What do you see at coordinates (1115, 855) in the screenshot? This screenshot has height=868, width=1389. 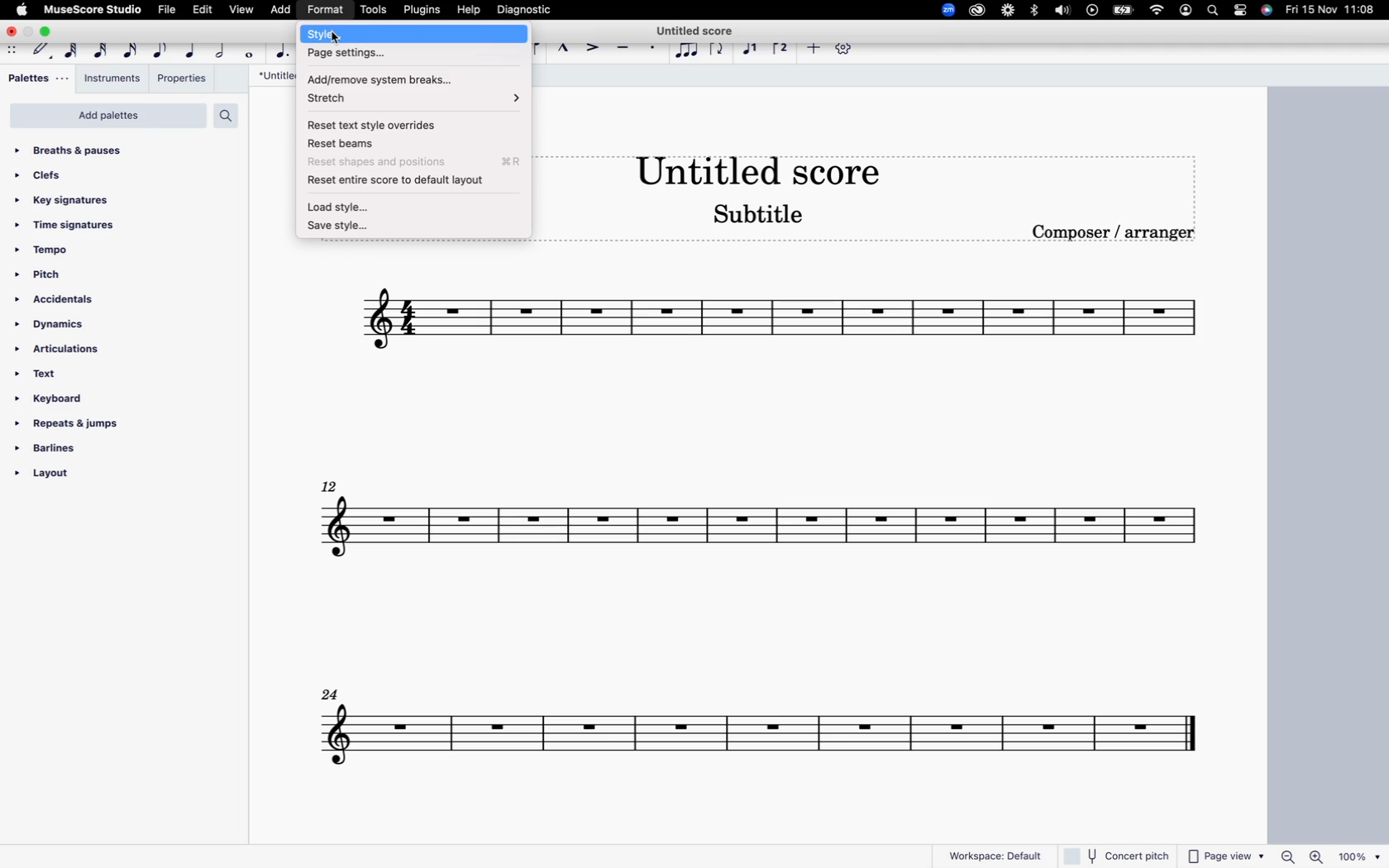 I see `concert pitch` at bounding box center [1115, 855].